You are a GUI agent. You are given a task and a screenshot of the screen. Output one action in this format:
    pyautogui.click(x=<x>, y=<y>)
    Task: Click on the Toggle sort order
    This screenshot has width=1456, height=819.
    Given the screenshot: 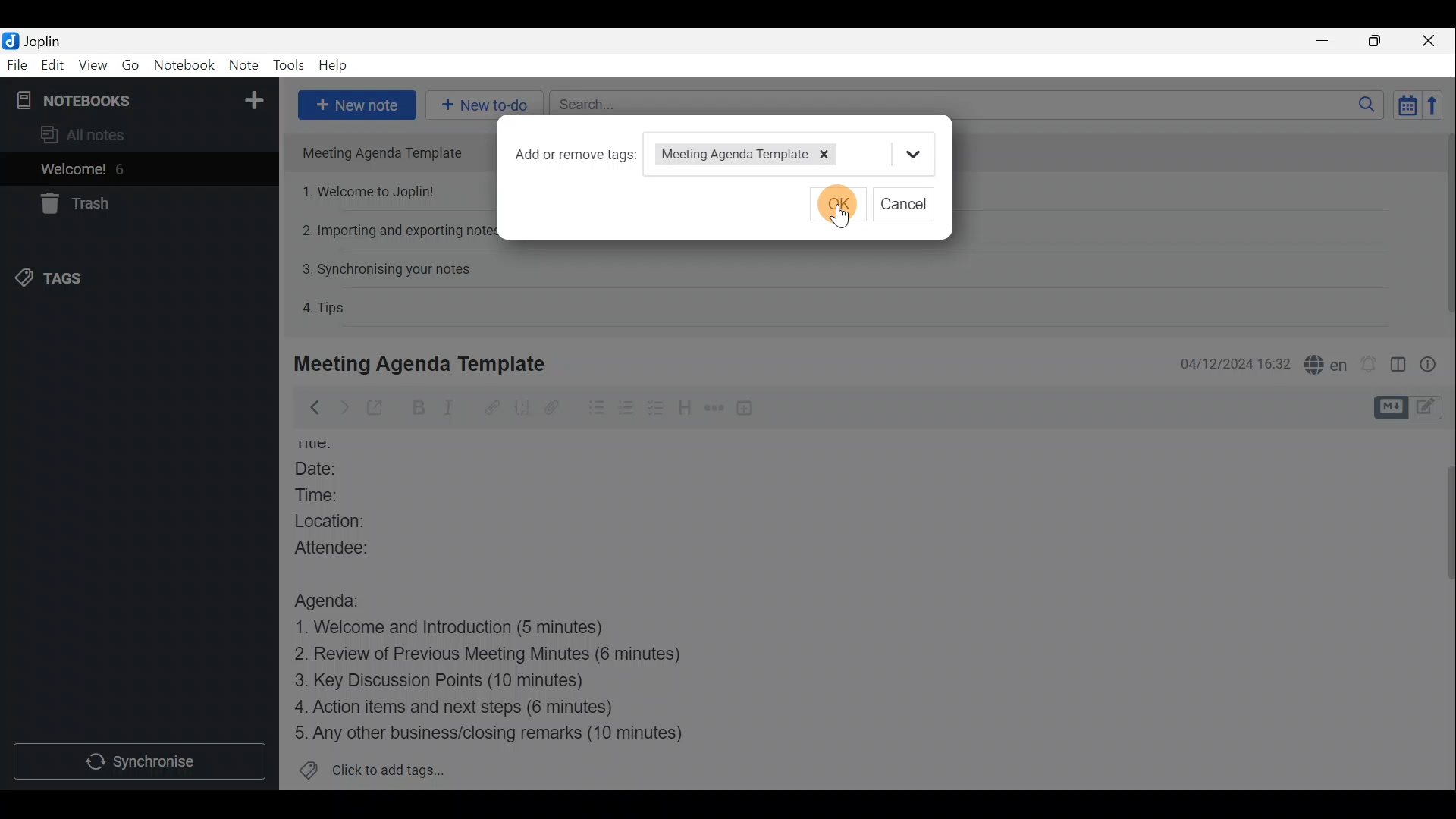 What is the action you would take?
    pyautogui.click(x=1404, y=103)
    